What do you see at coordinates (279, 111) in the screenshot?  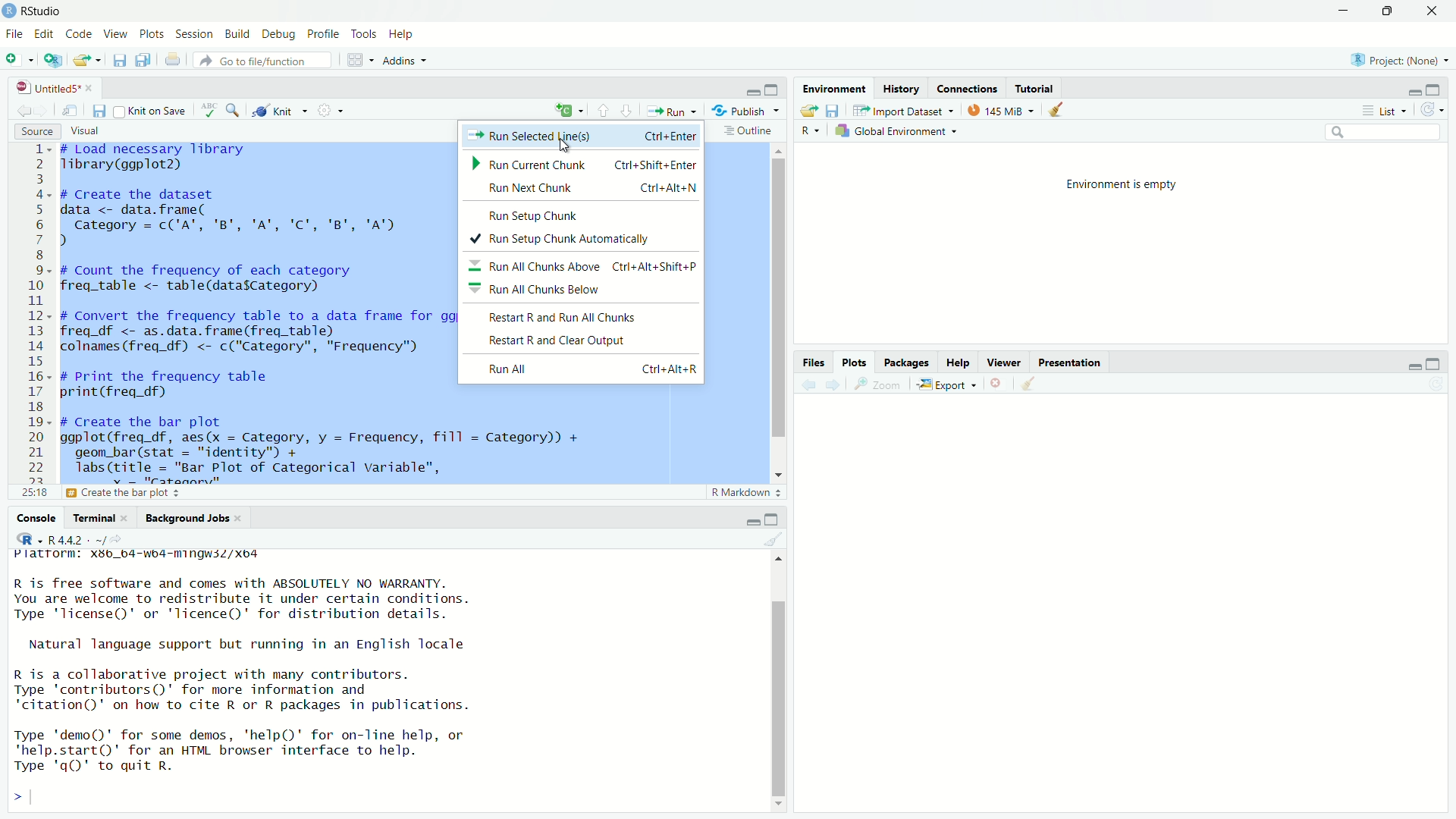 I see `knit` at bounding box center [279, 111].